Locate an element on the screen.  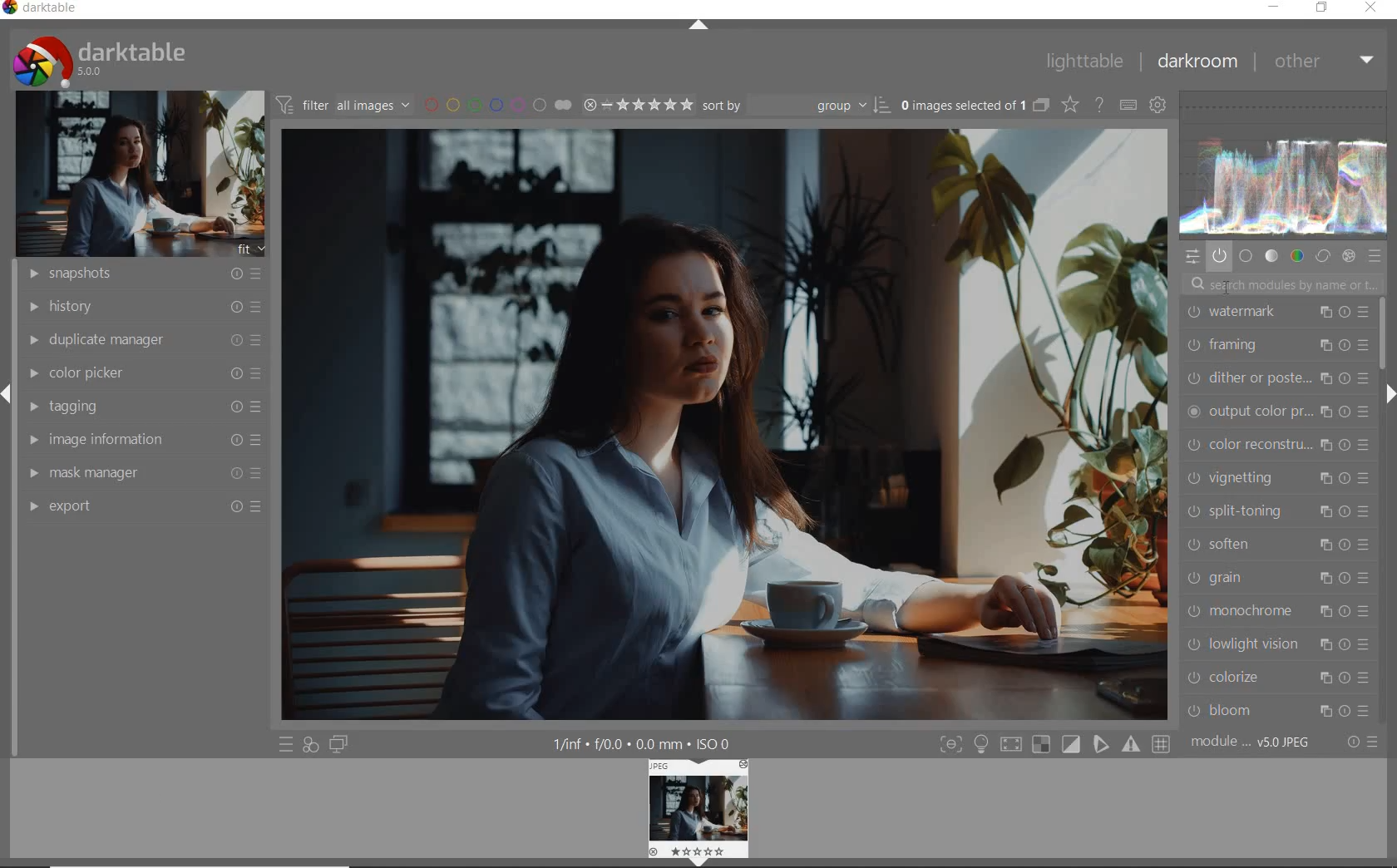
color reconstruction is located at coordinates (1279, 445).